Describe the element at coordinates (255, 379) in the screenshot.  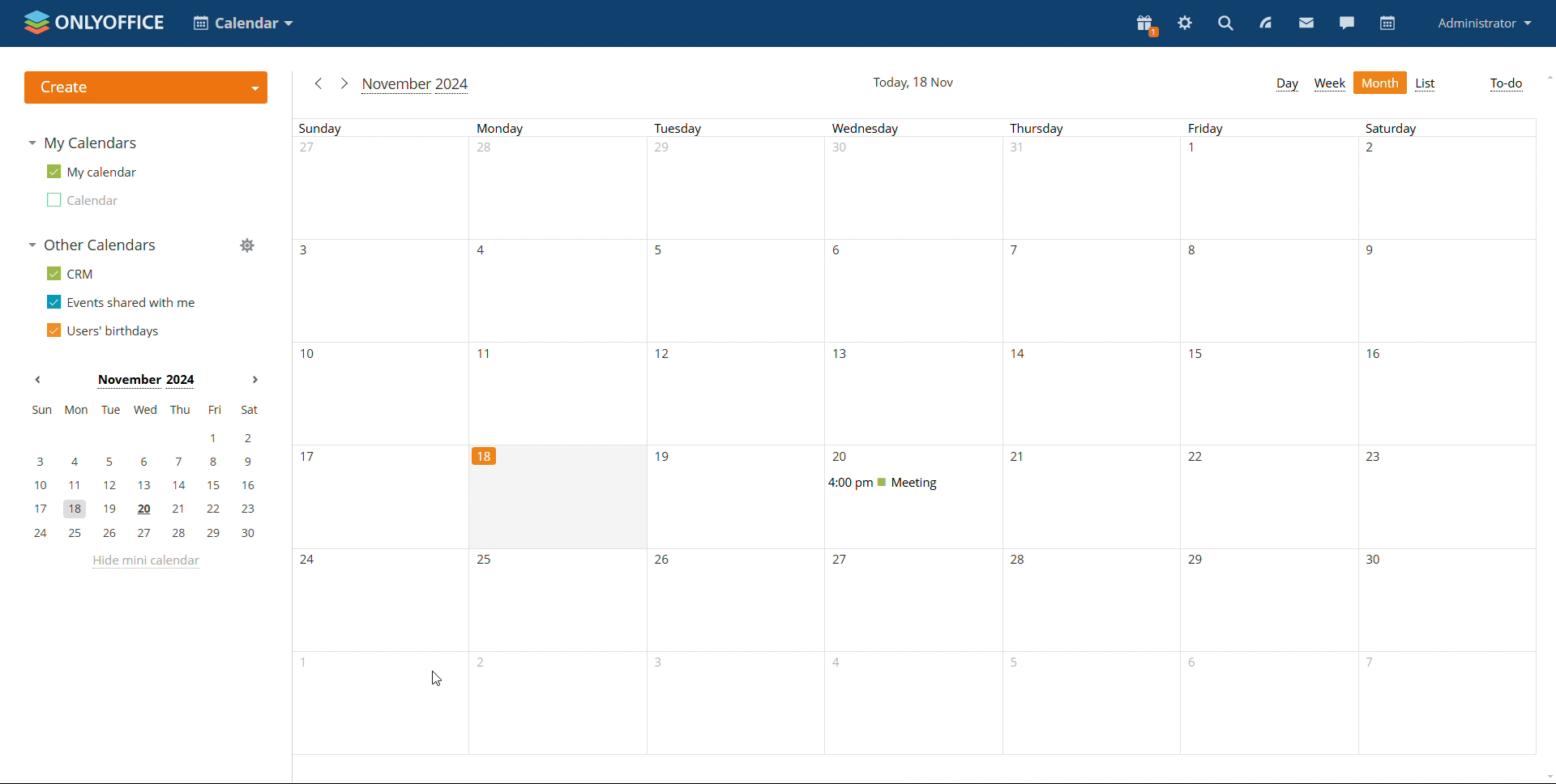
I see `next month` at that location.